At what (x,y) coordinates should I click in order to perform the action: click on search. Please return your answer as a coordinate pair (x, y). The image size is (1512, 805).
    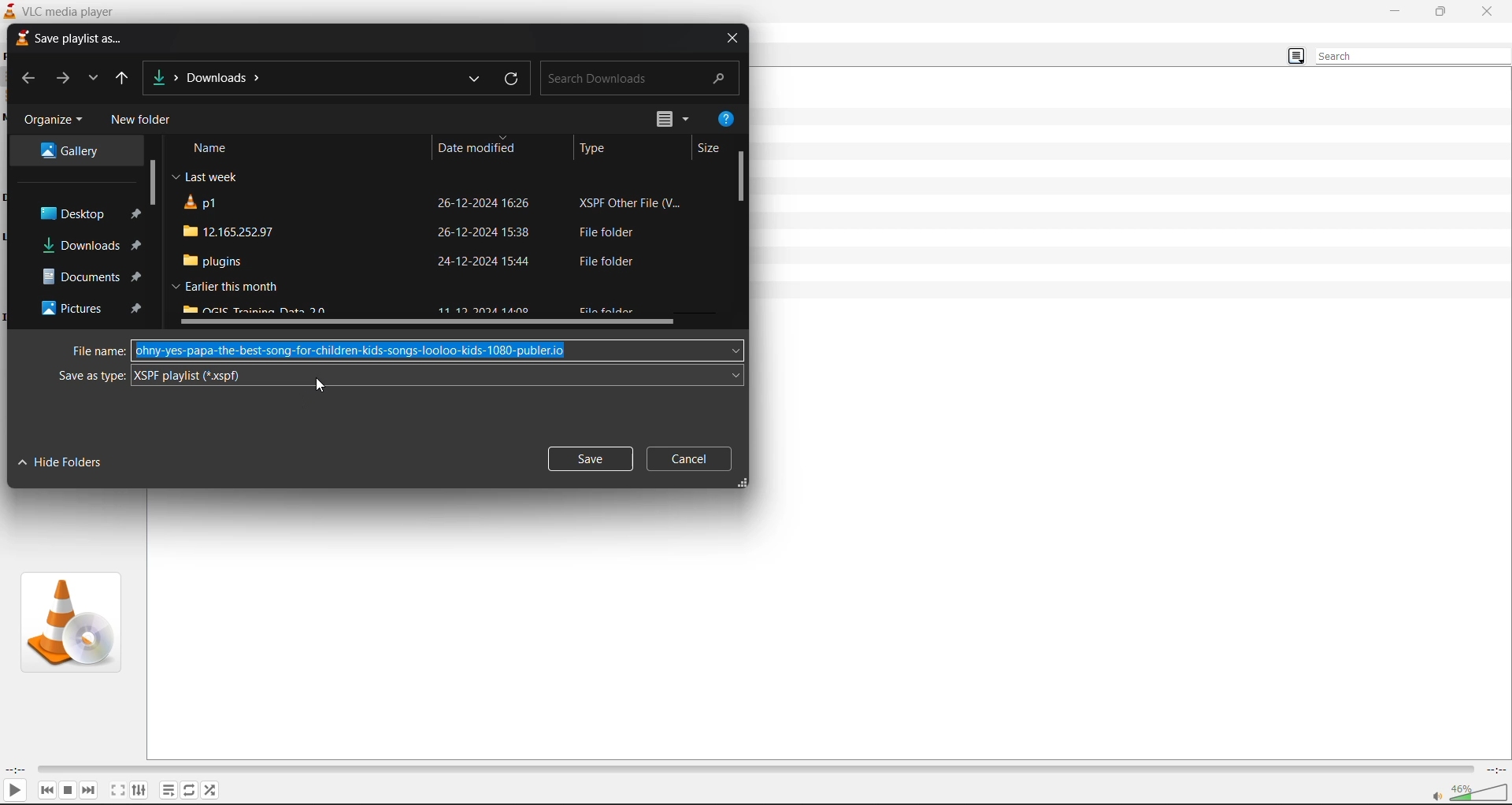
    Looking at the image, I should click on (639, 76).